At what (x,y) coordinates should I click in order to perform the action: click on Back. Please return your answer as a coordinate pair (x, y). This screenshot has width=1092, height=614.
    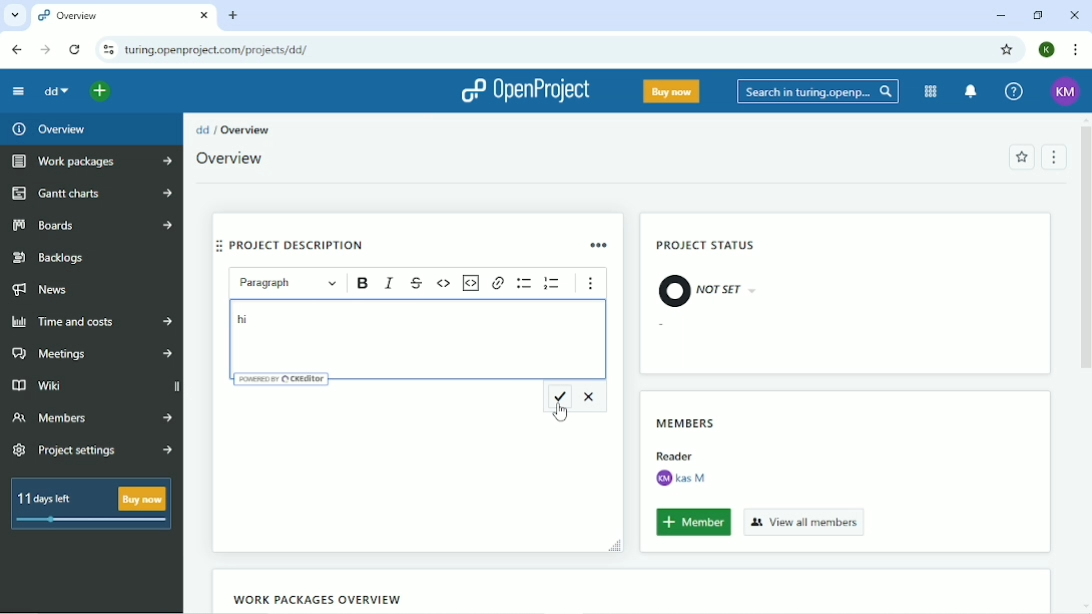
    Looking at the image, I should click on (18, 50).